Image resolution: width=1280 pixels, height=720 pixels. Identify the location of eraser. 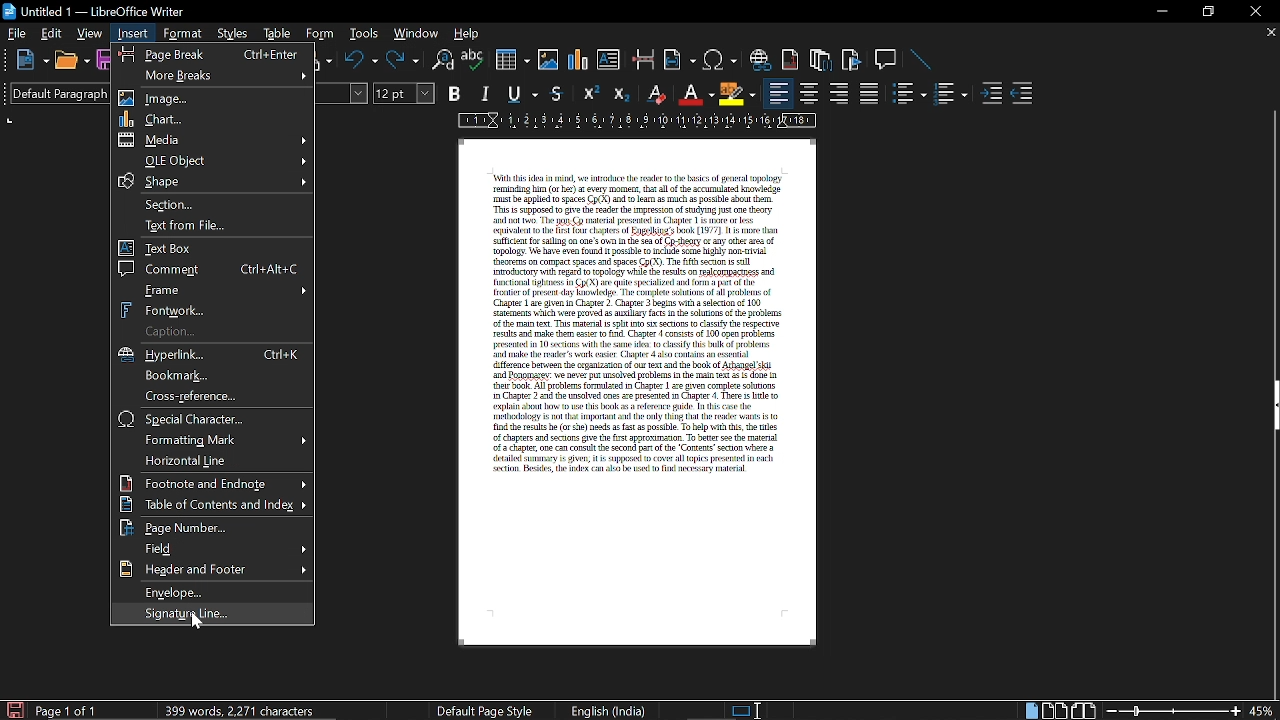
(658, 93).